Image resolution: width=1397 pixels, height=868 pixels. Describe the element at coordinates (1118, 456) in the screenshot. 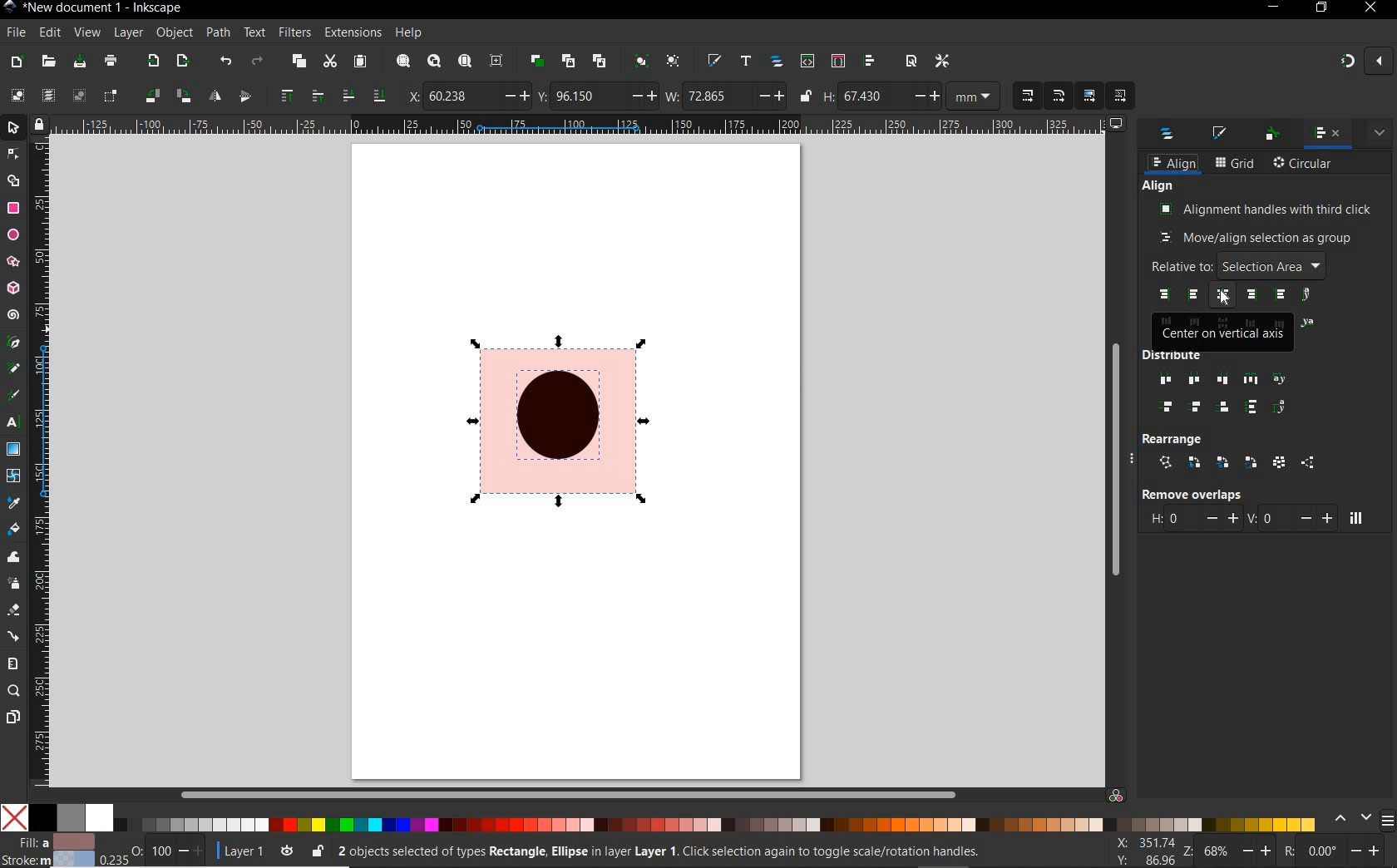

I see `scrollbar` at that location.